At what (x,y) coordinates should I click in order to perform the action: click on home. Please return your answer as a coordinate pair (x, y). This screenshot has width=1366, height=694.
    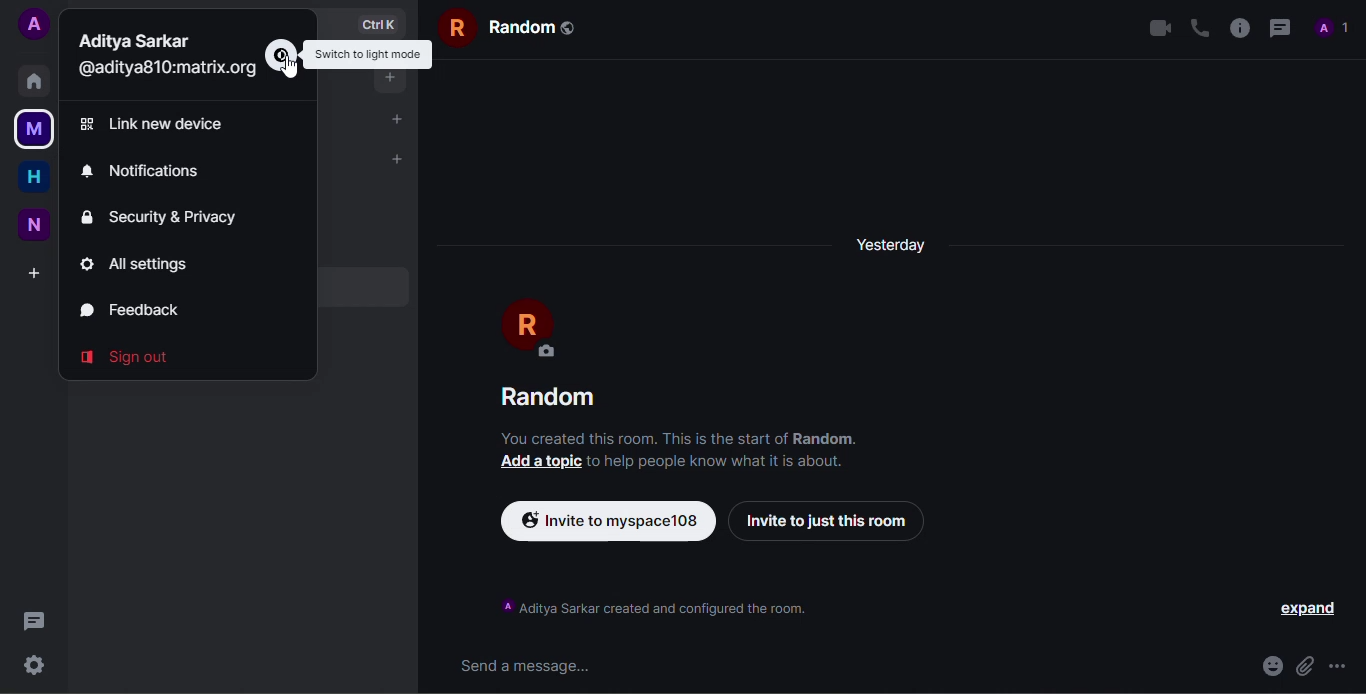
    Looking at the image, I should click on (33, 176).